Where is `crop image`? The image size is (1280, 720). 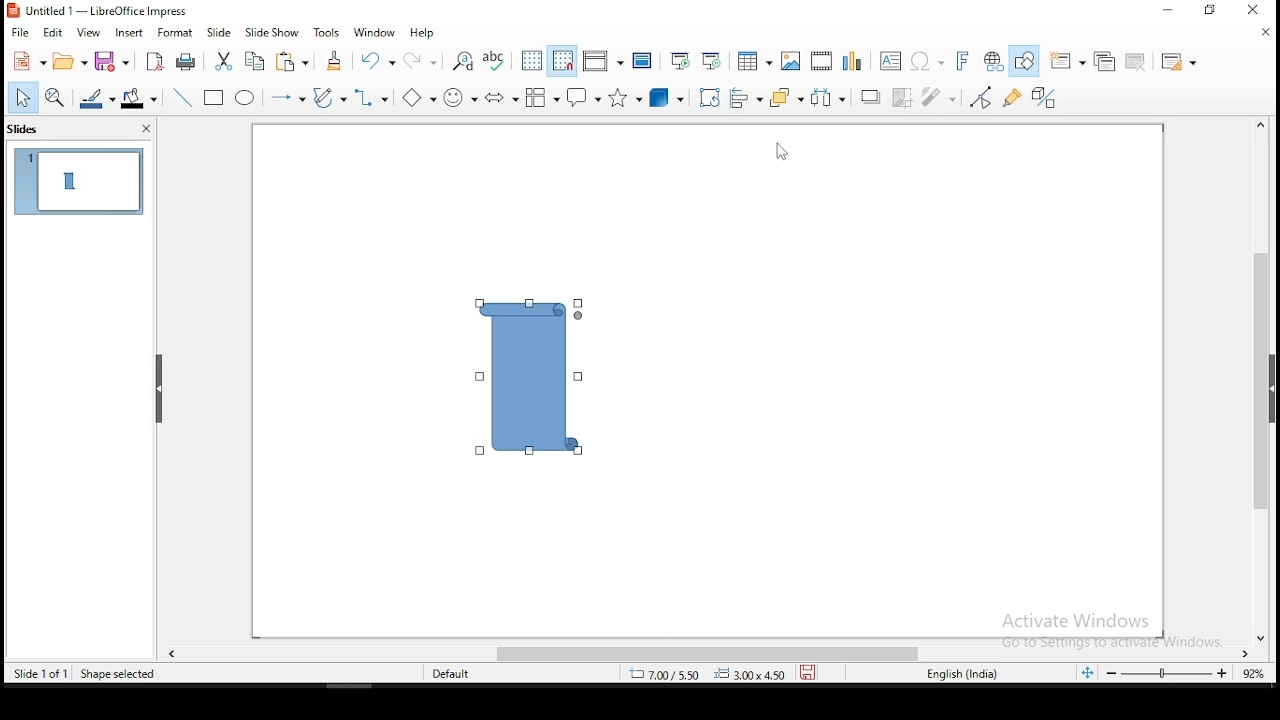 crop image is located at coordinates (902, 96).